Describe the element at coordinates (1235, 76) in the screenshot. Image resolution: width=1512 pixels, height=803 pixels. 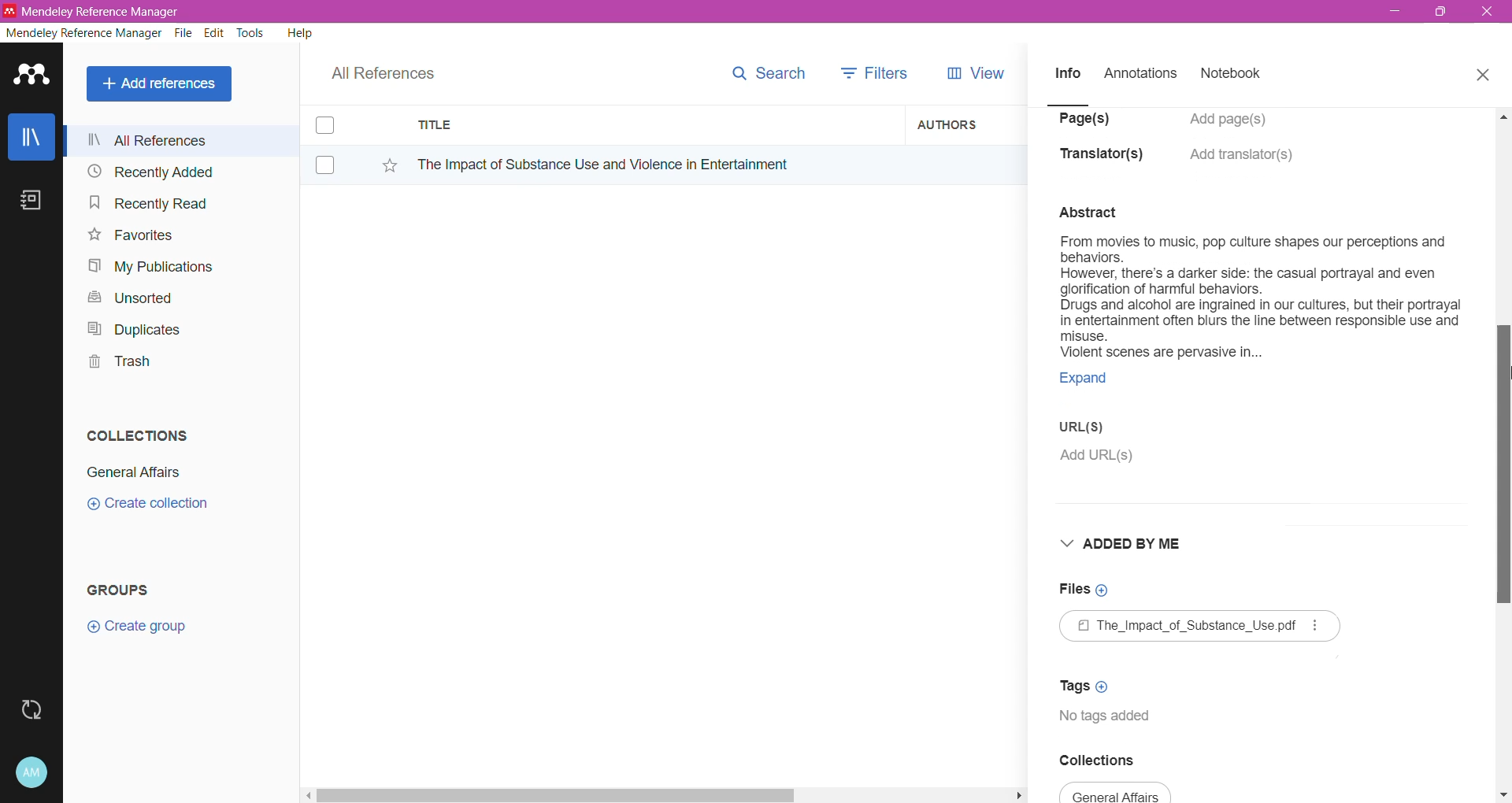
I see `NOTEBOOK` at that location.